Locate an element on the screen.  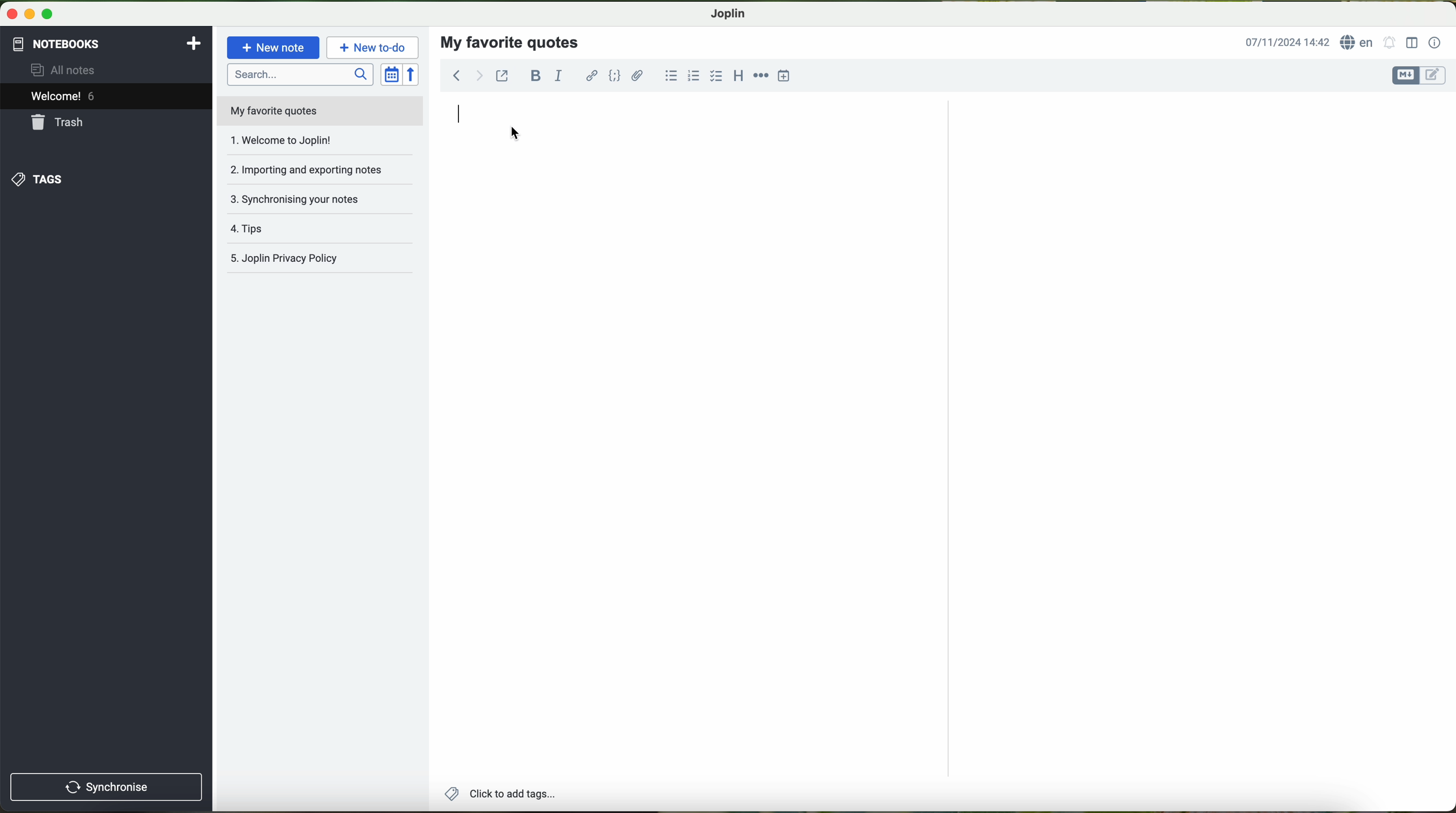
toggle external editing is located at coordinates (503, 76).